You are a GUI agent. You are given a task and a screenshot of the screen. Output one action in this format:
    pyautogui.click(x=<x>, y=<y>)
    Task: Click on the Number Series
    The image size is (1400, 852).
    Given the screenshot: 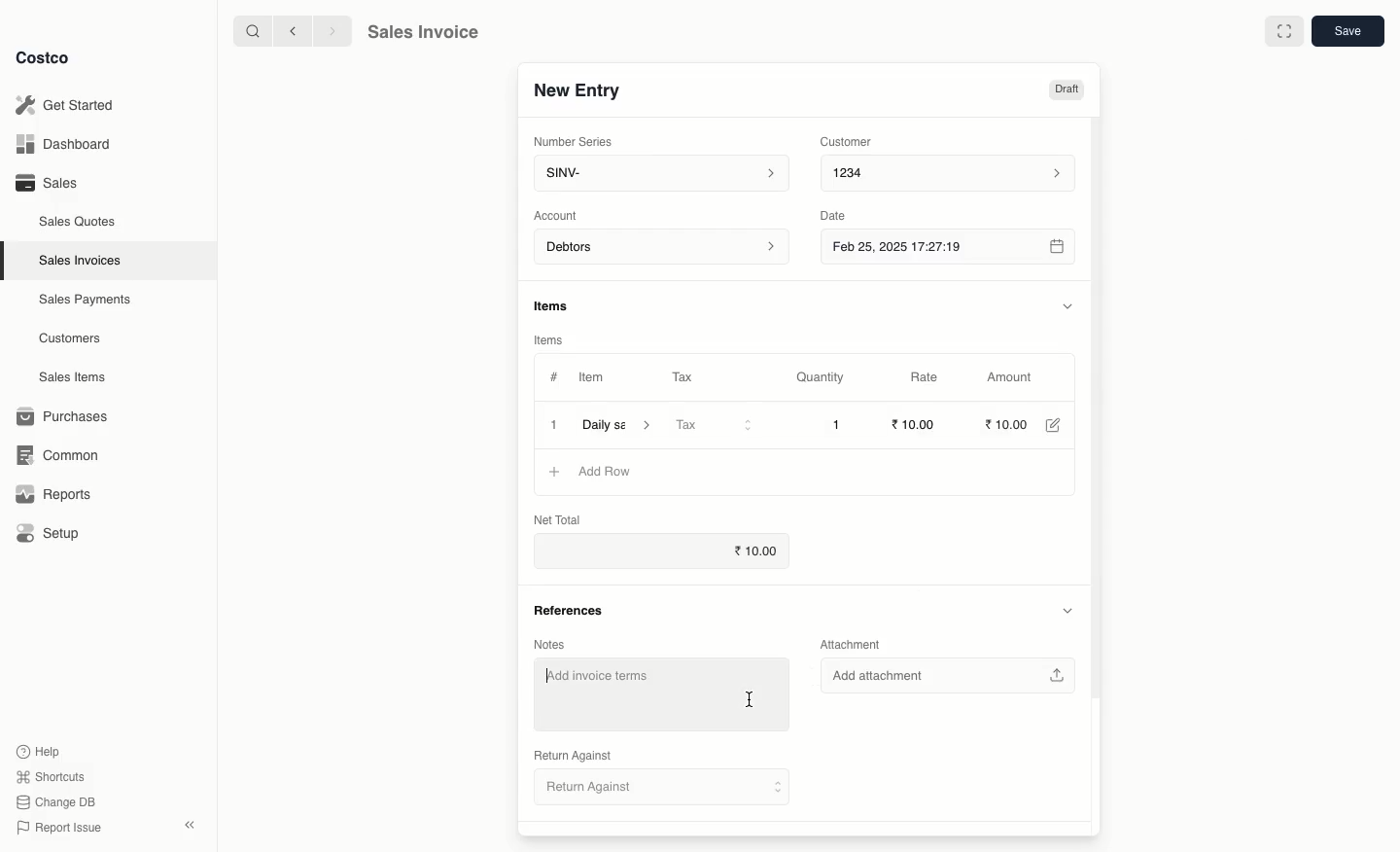 What is the action you would take?
    pyautogui.click(x=574, y=141)
    